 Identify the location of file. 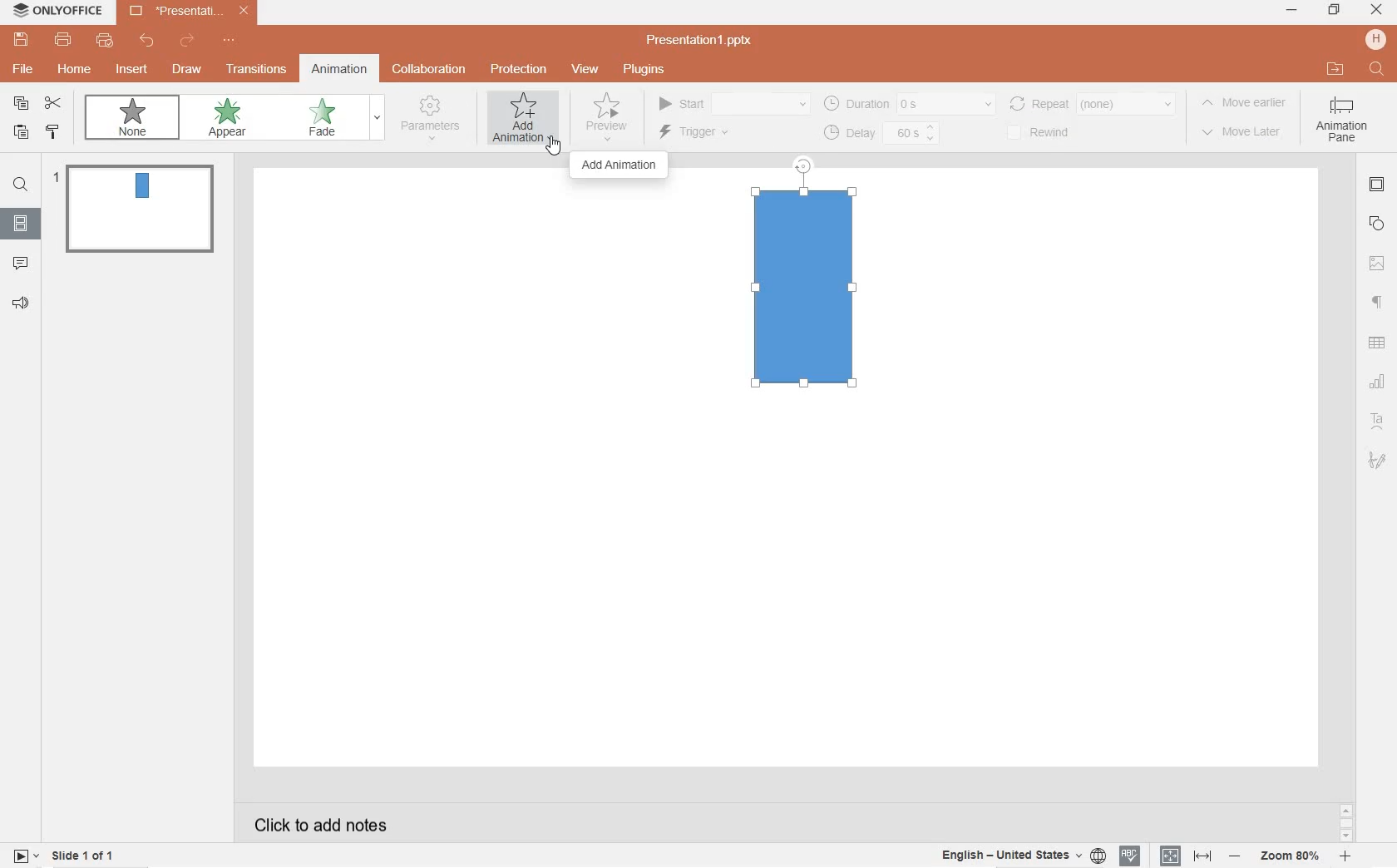
(24, 69).